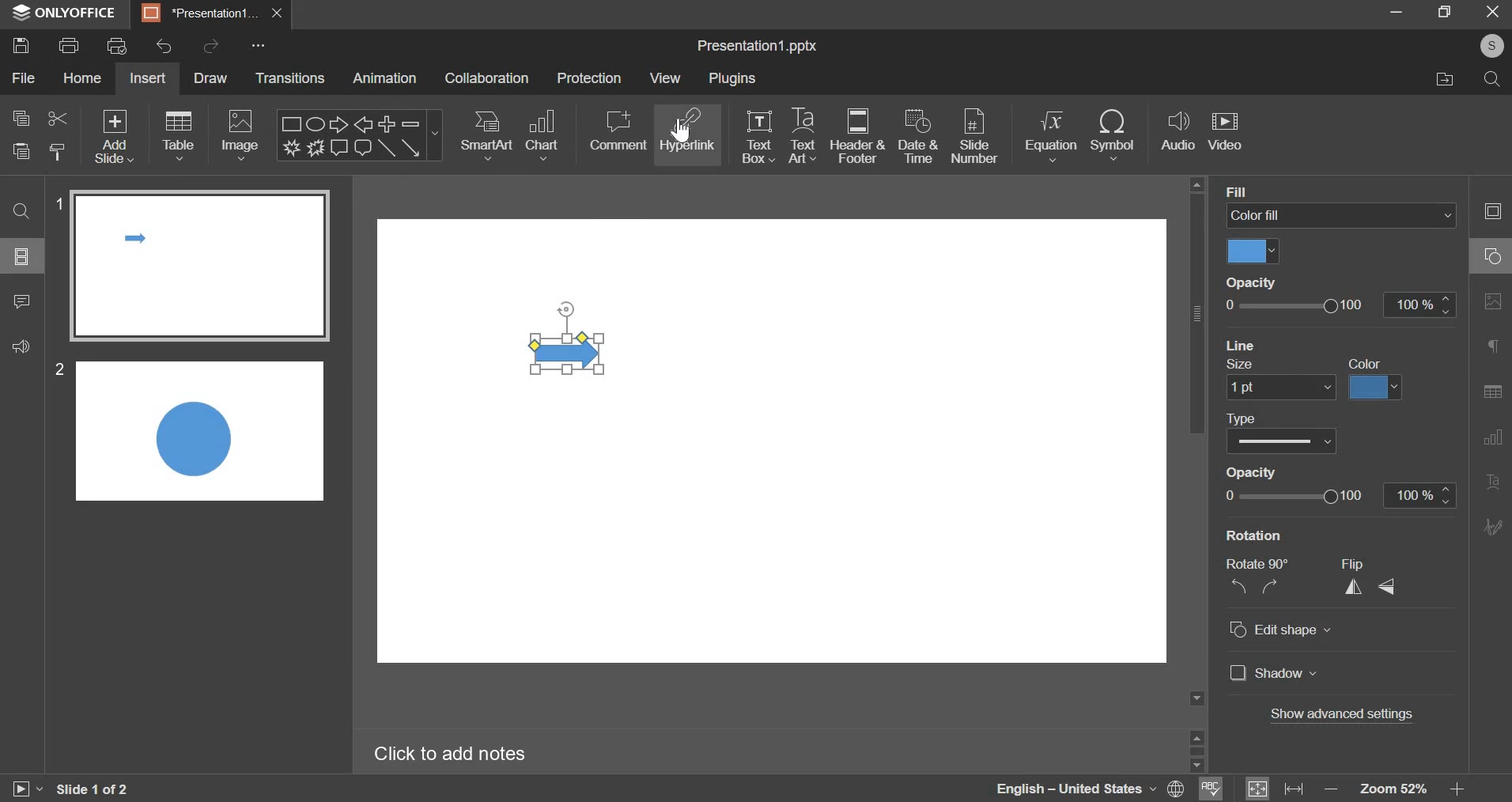 This screenshot has width=1512, height=802. Describe the element at coordinates (1332, 789) in the screenshot. I see `decrease zoom` at that location.